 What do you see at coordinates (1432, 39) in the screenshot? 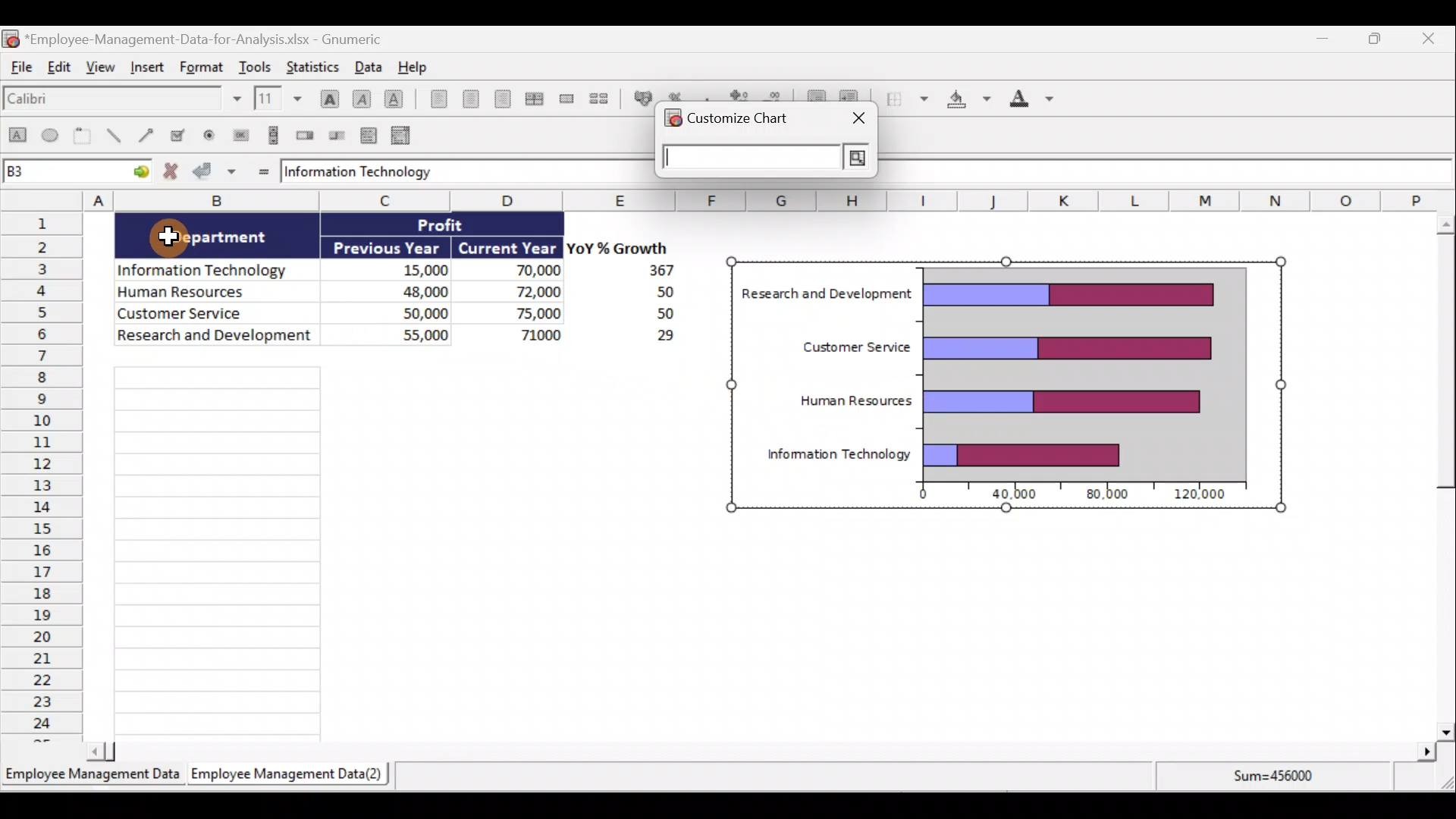
I see `Close` at bounding box center [1432, 39].